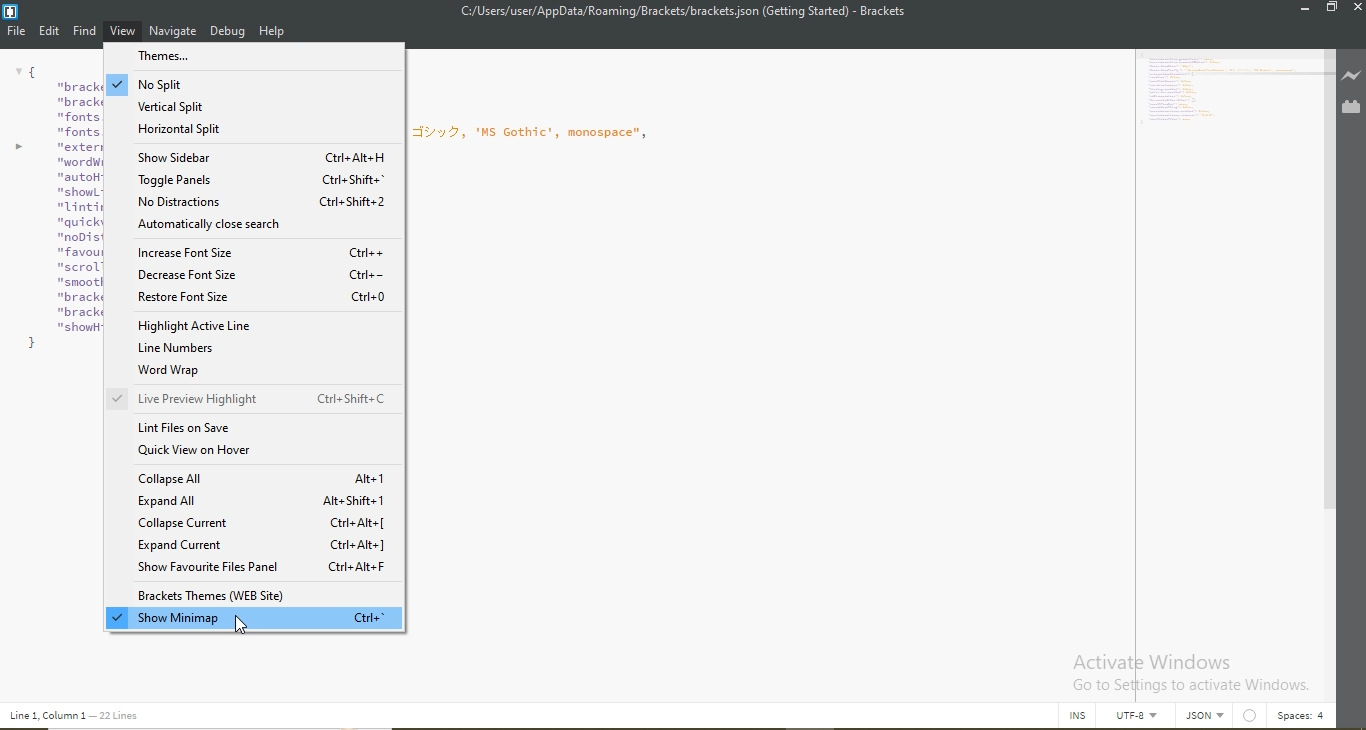  Describe the element at coordinates (265, 500) in the screenshot. I see `expand all` at that location.